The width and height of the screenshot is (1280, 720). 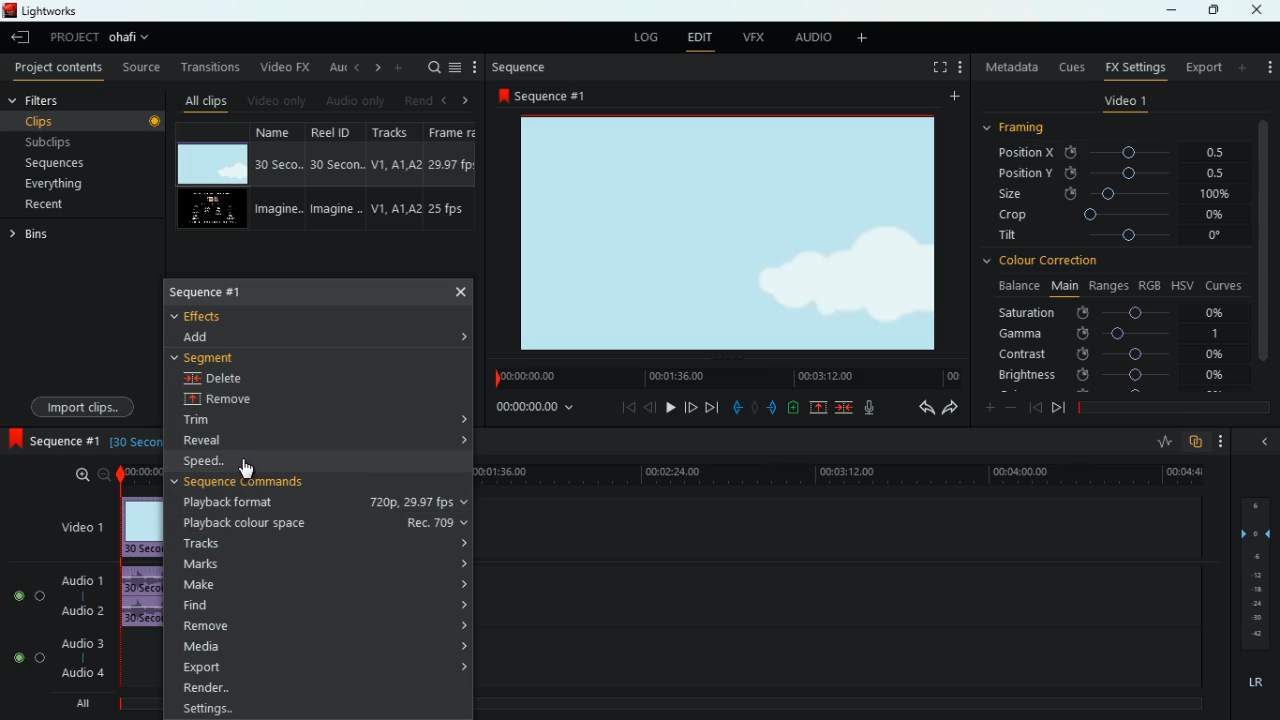 I want to click on expand, so click(x=459, y=333).